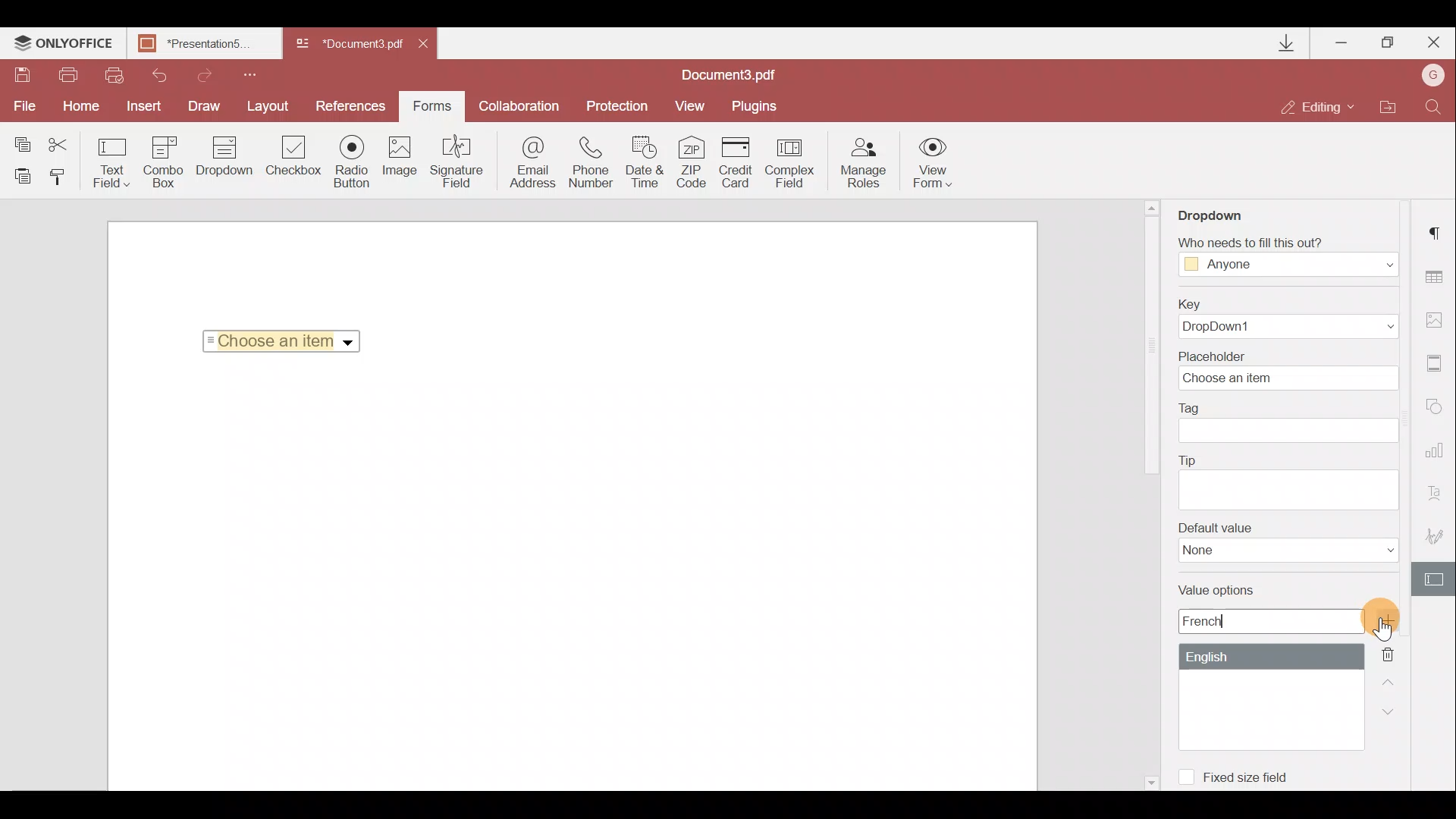 This screenshot has width=1456, height=819. I want to click on Paragraph settings, so click(1438, 228).